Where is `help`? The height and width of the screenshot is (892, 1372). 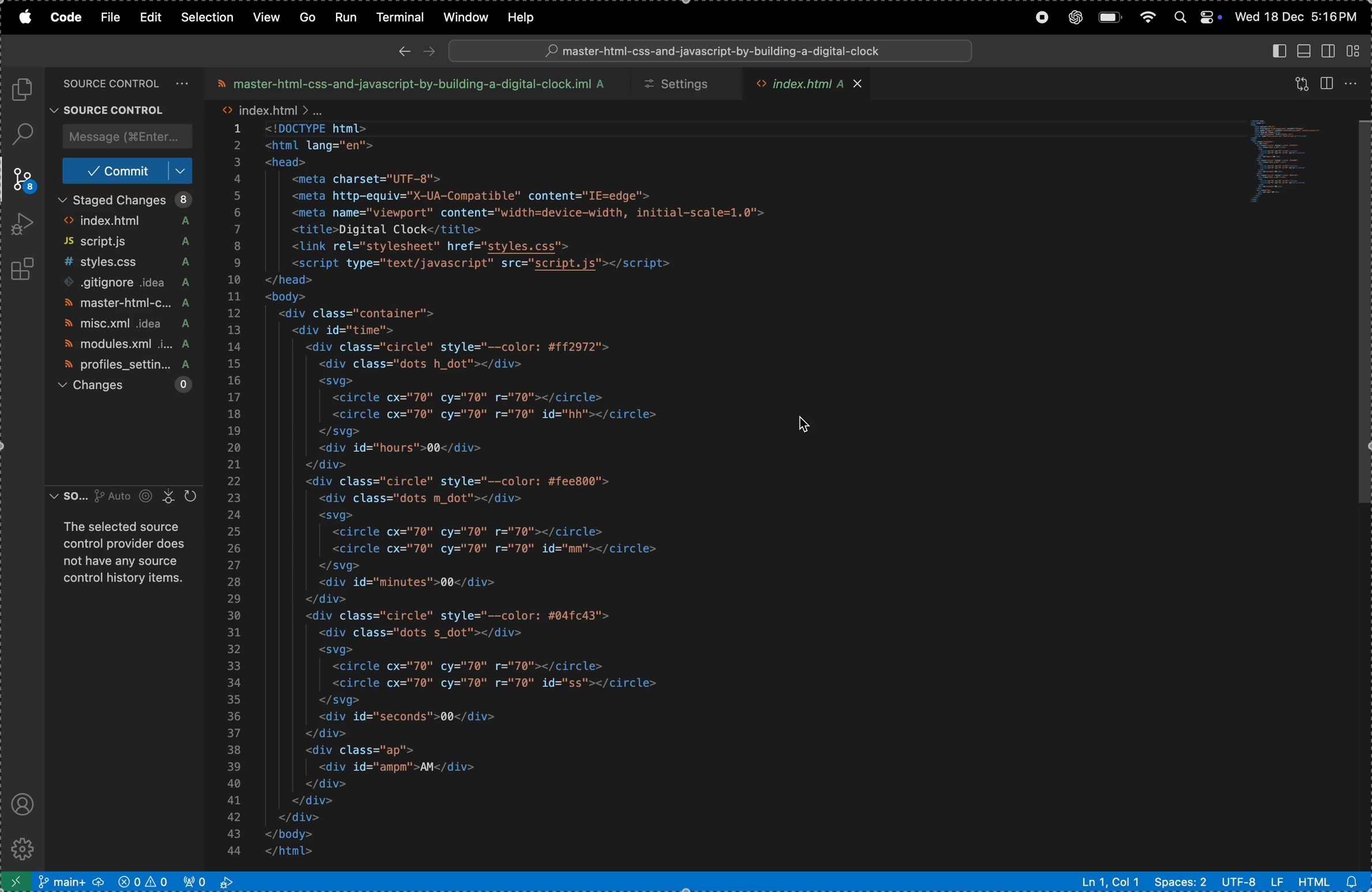 help is located at coordinates (529, 16).